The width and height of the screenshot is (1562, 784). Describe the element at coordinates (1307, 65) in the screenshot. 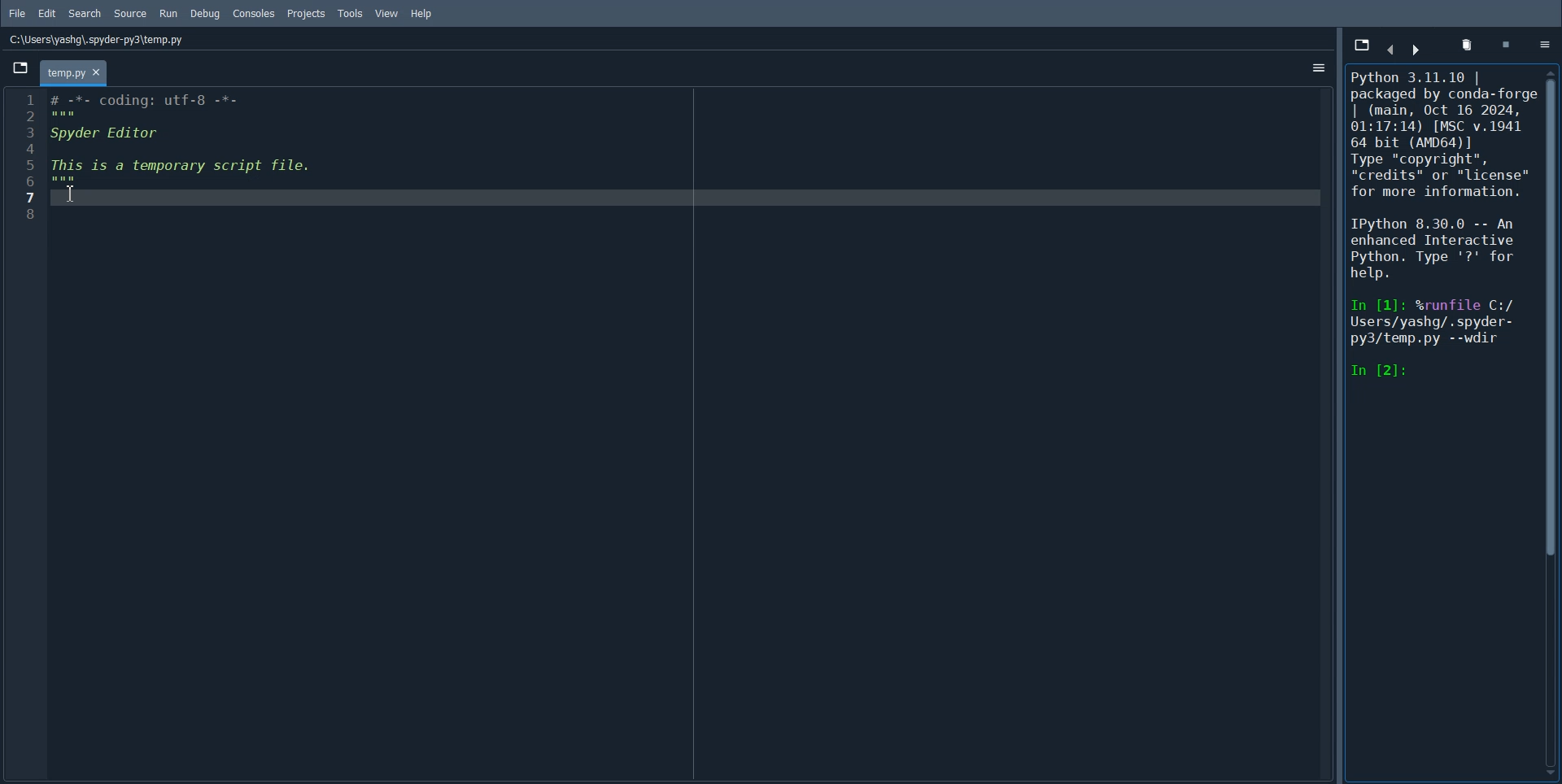

I see `options` at that location.